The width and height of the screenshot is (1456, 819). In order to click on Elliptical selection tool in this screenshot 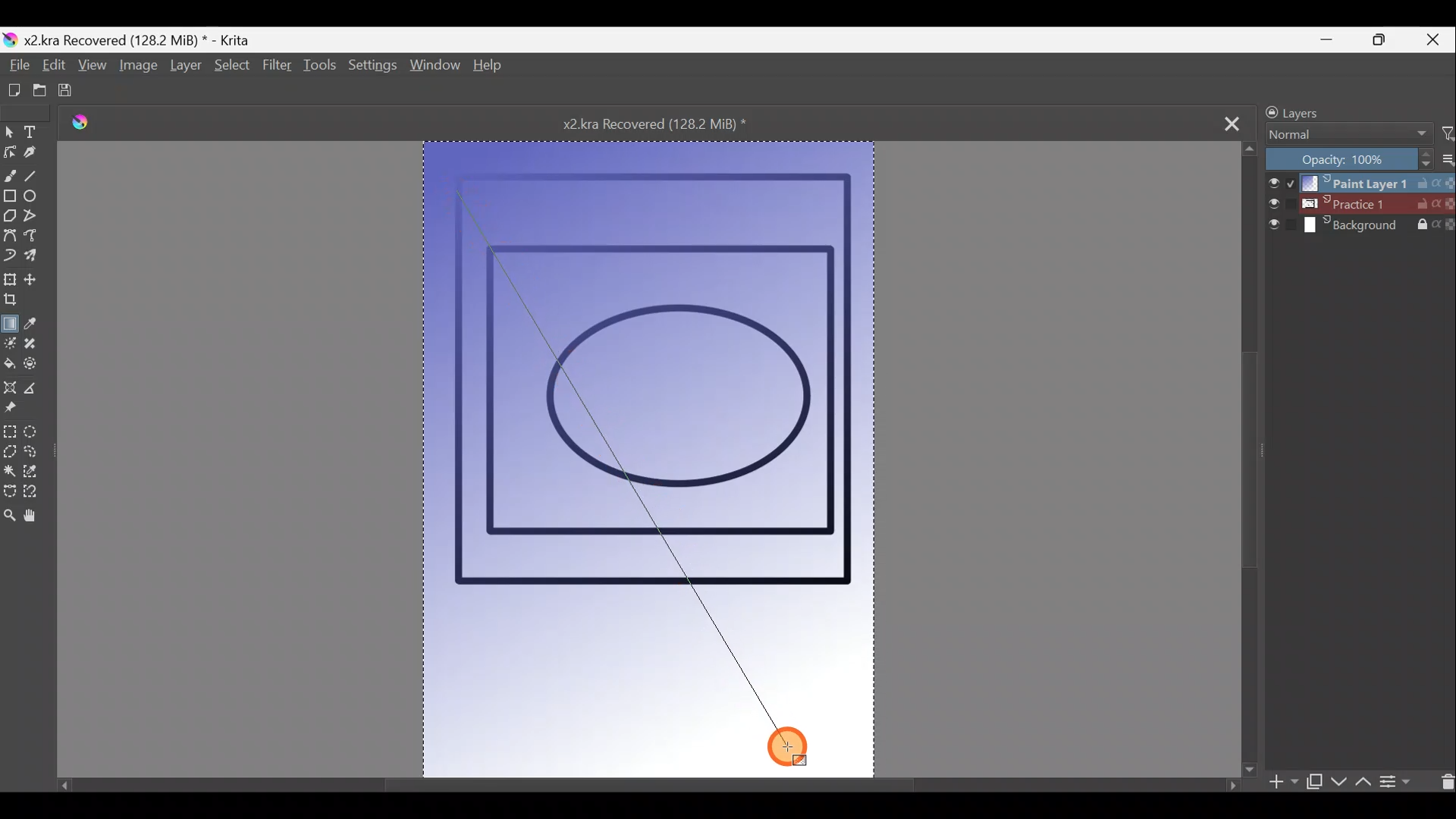, I will do `click(35, 434)`.